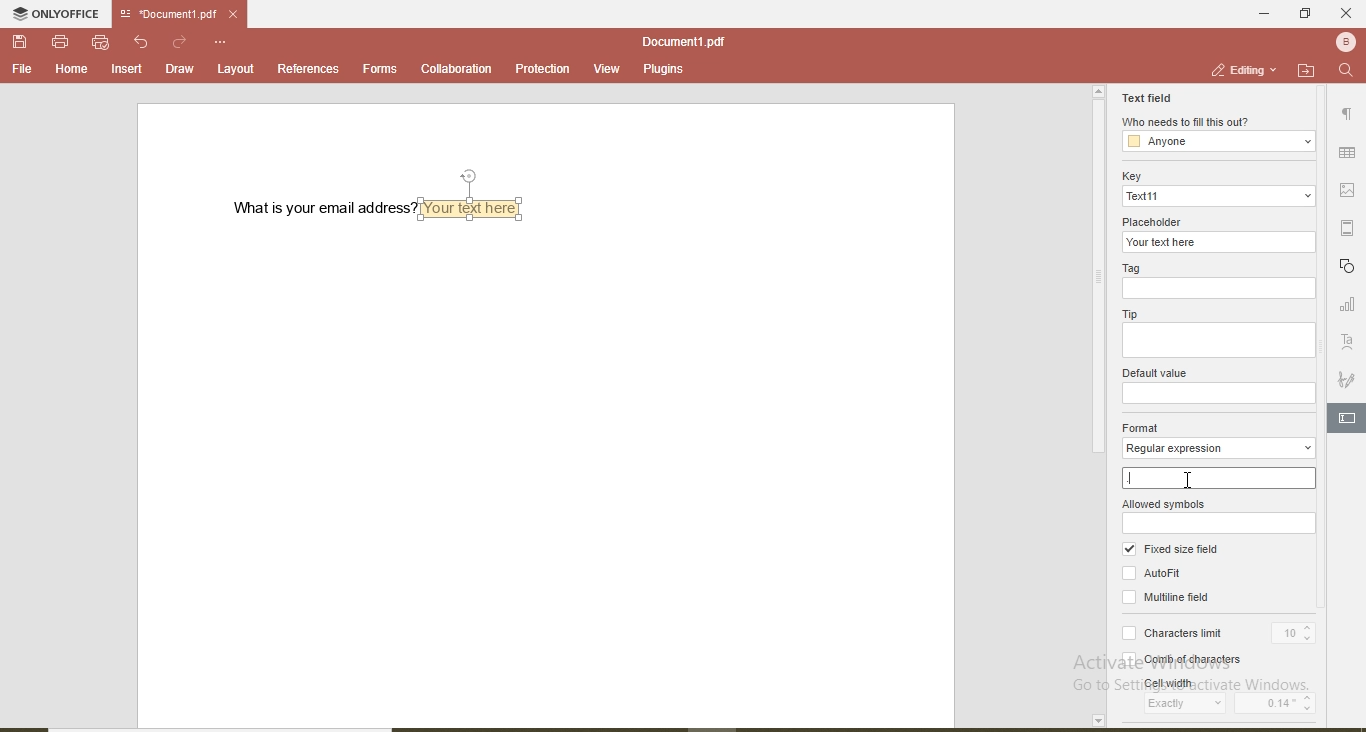  I want to click on collaboration, so click(455, 69).